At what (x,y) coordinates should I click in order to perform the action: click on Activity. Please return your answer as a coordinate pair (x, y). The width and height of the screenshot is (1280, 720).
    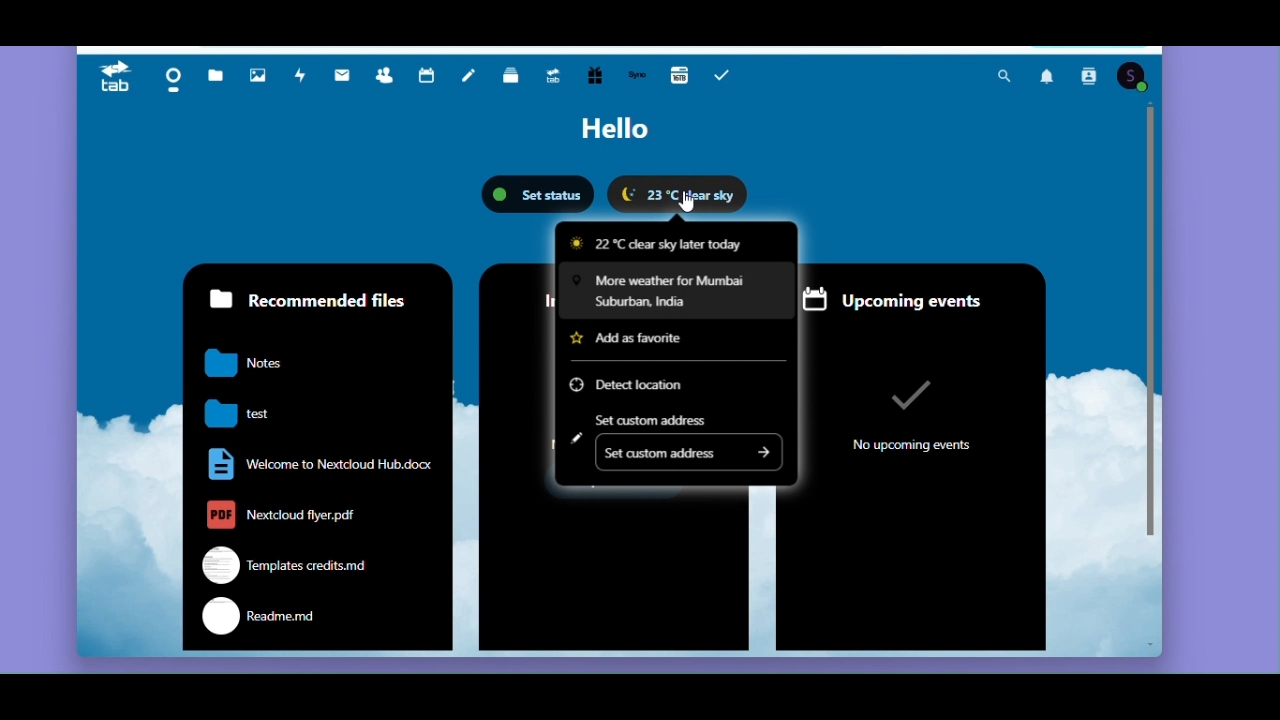
    Looking at the image, I should click on (302, 80).